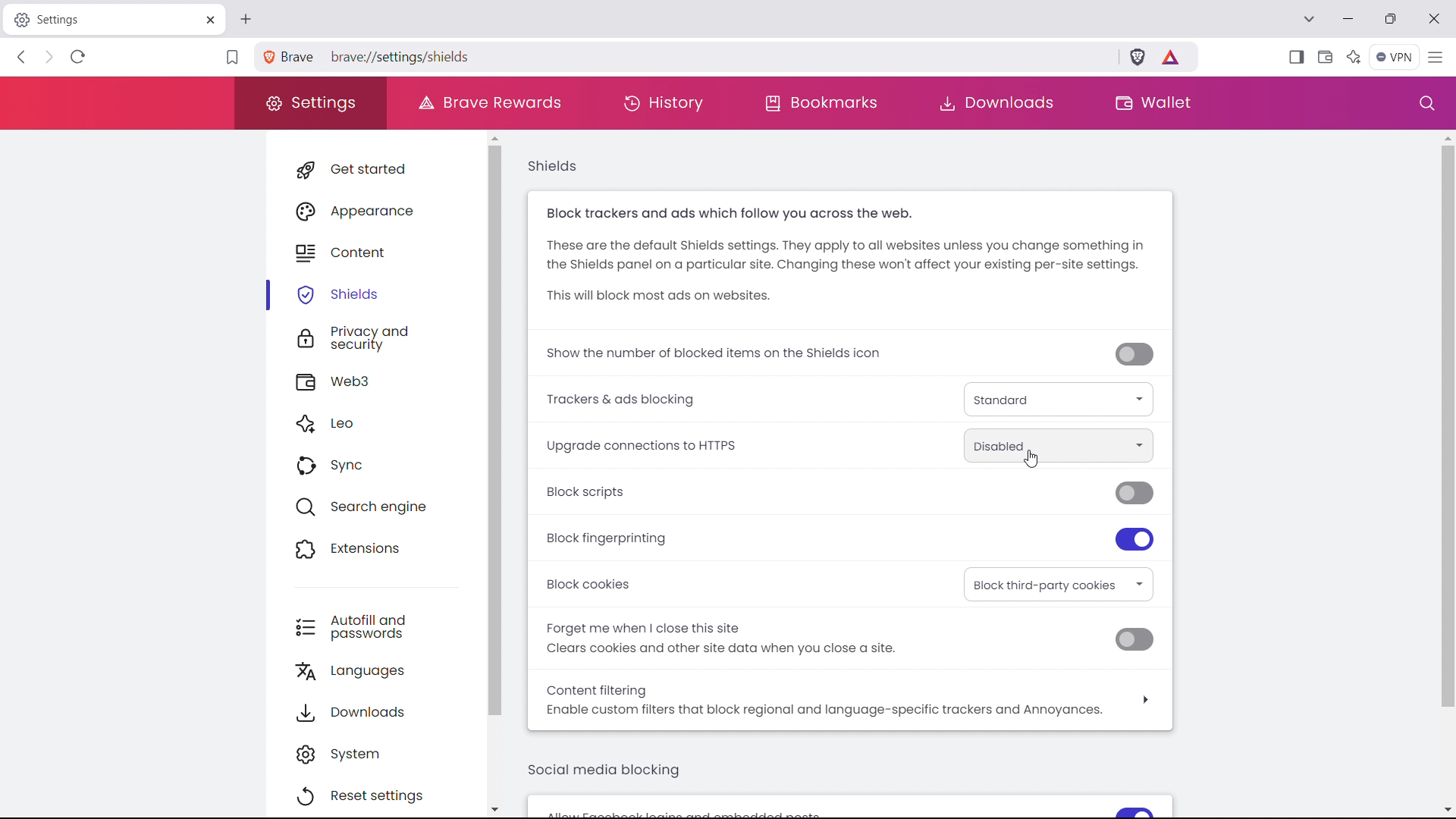 This screenshot has width=1456, height=819. What do you see at coordinates (1058, 400) in the screenshot?
I see `trackers & ads blocking type` at bounding box center [1058, 400].